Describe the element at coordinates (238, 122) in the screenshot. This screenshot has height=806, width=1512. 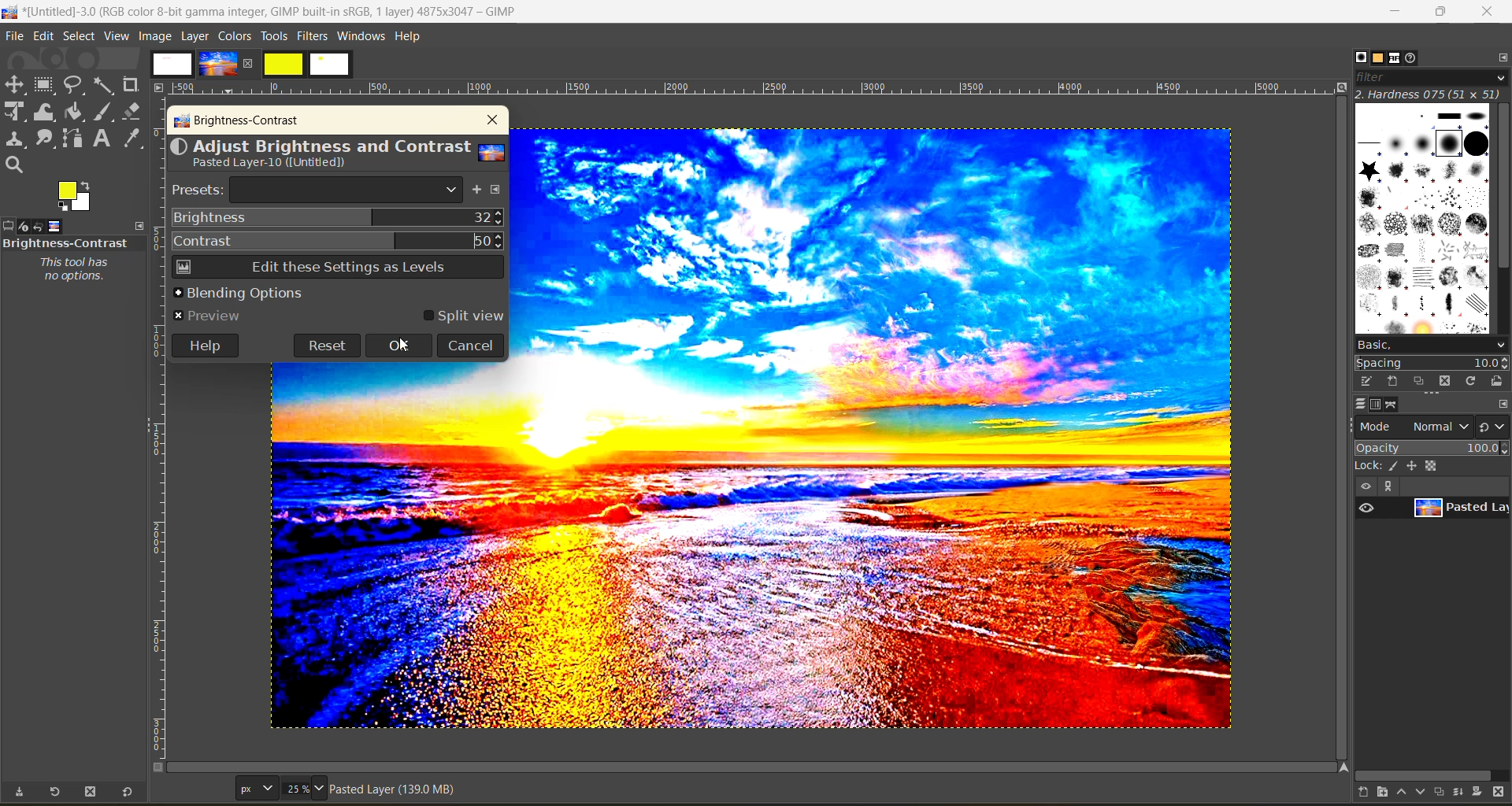
I see `brightness contrast` at that location.